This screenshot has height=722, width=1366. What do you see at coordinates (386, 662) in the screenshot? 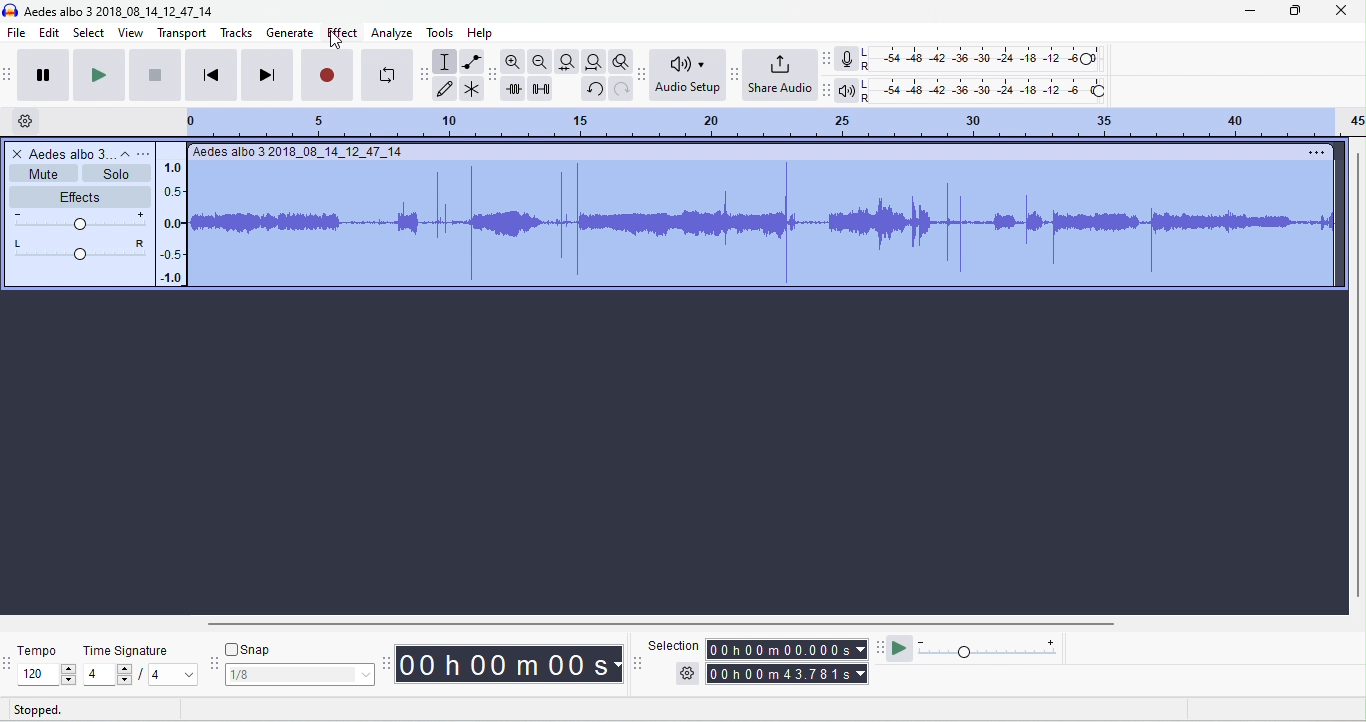
I see `audacity time toolbar` at bounding box center [386, 662].